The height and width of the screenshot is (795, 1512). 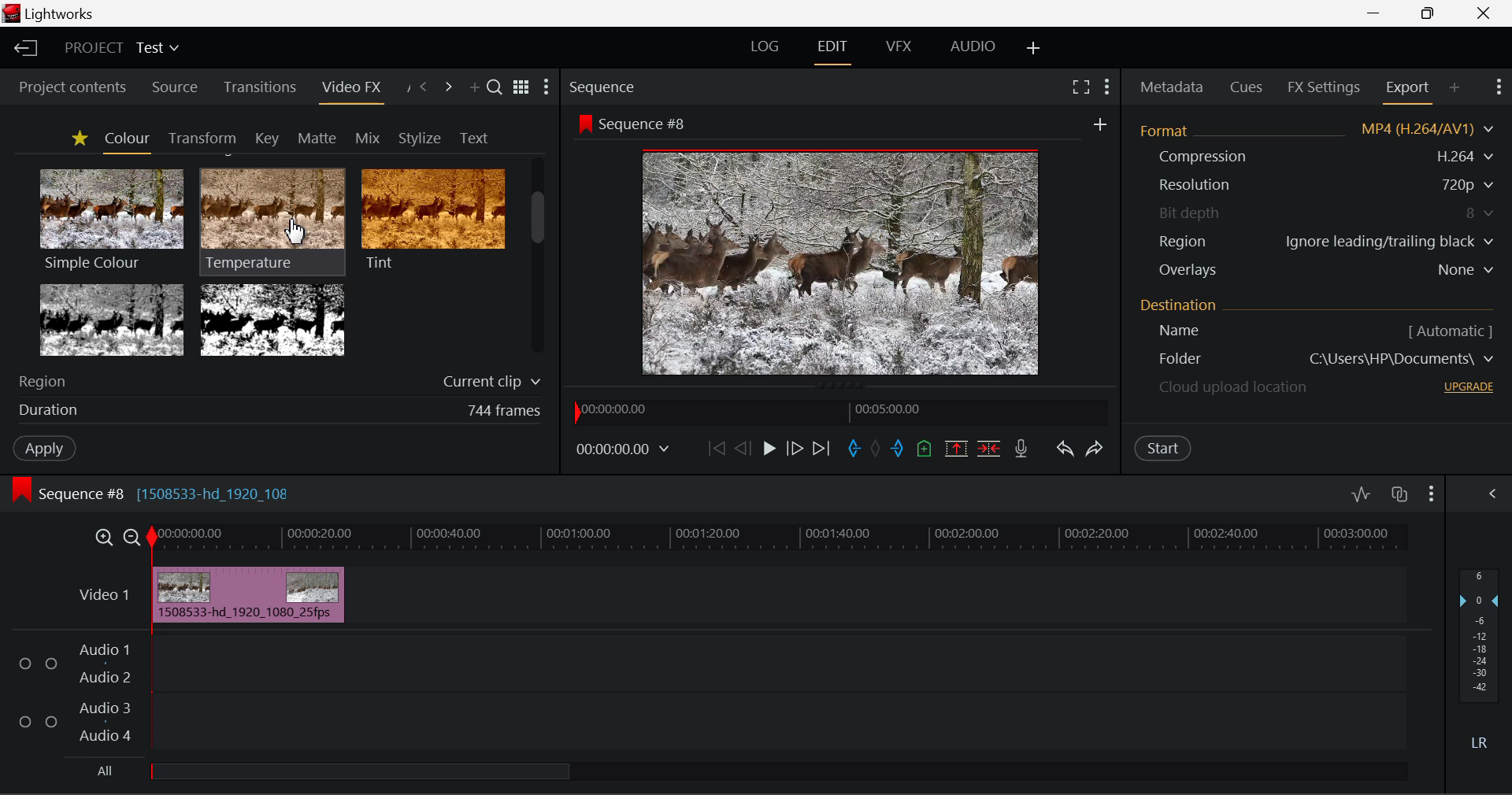 What do you see at coordinates (77, 139) in the screenshot?
I see `Favorites` at bounding box center [77, 139].